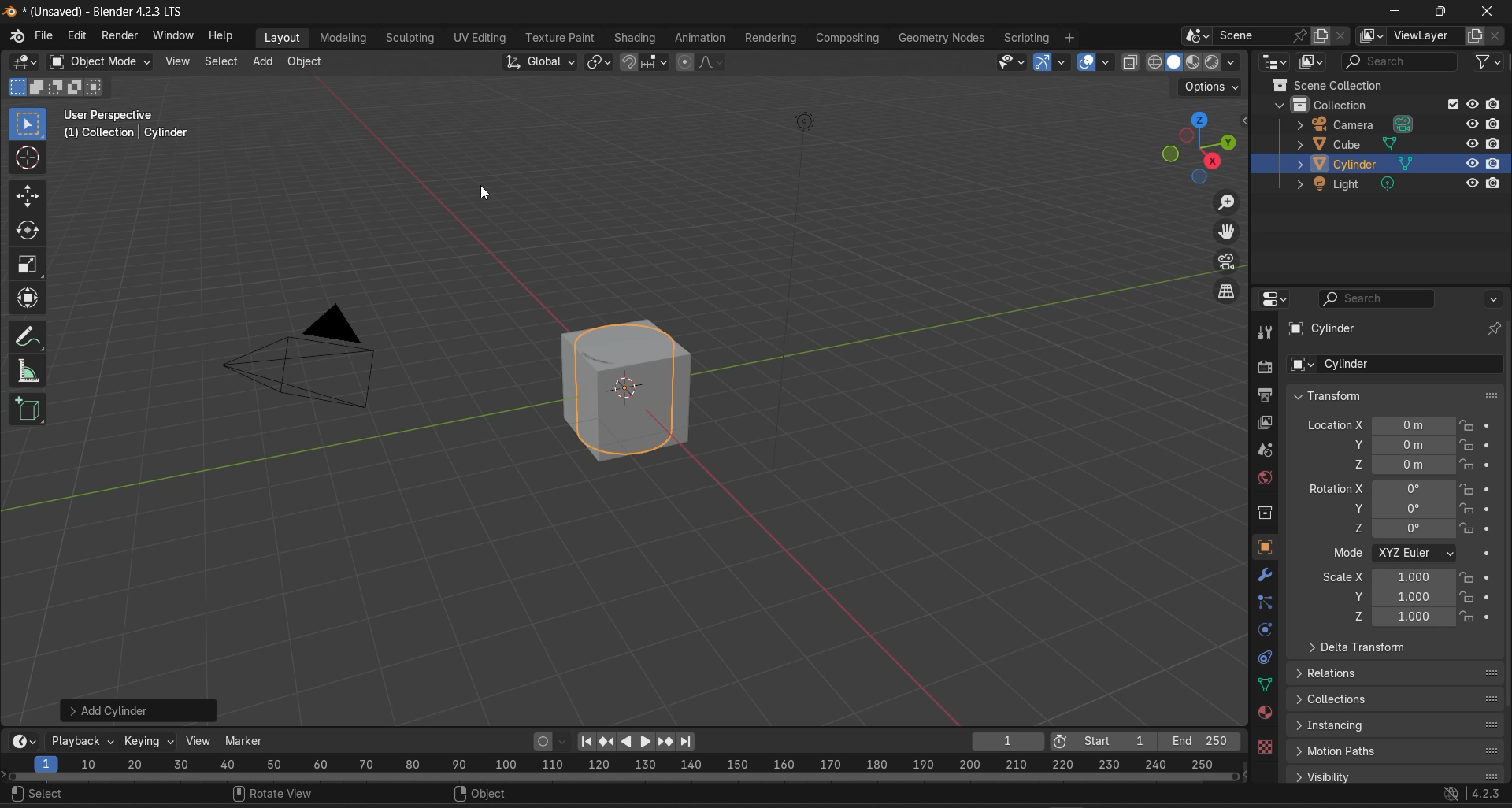 The width and height of the screenshot is (1512, 808). What do you see at coordinates (1353, 647) in the screenshot?
I see `delta transform` at bounding box center [1353, 647].